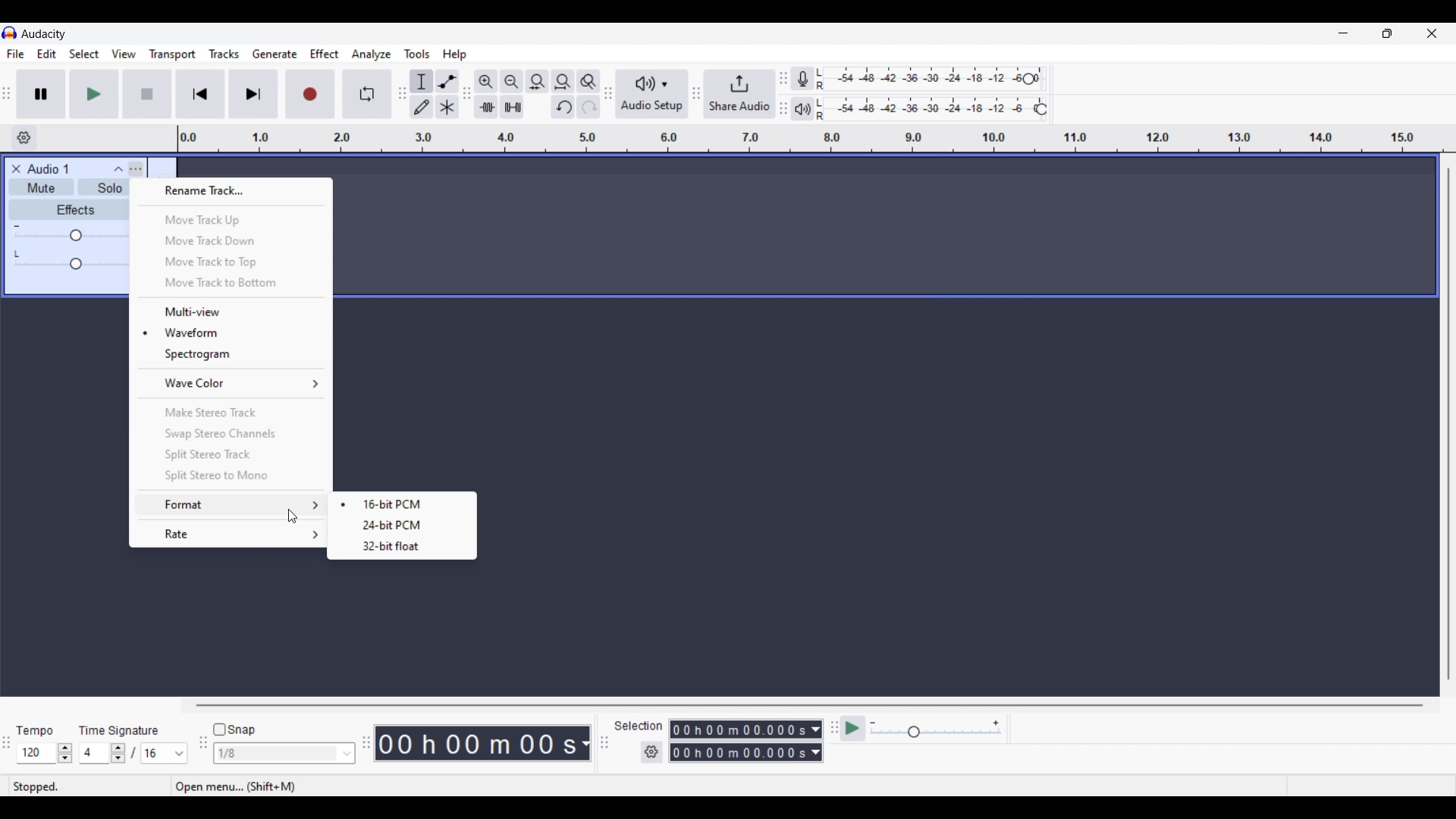 Image resolution: width=1456 pixels, height=819 pixels. I want to click on Effects, so click(75, 209).